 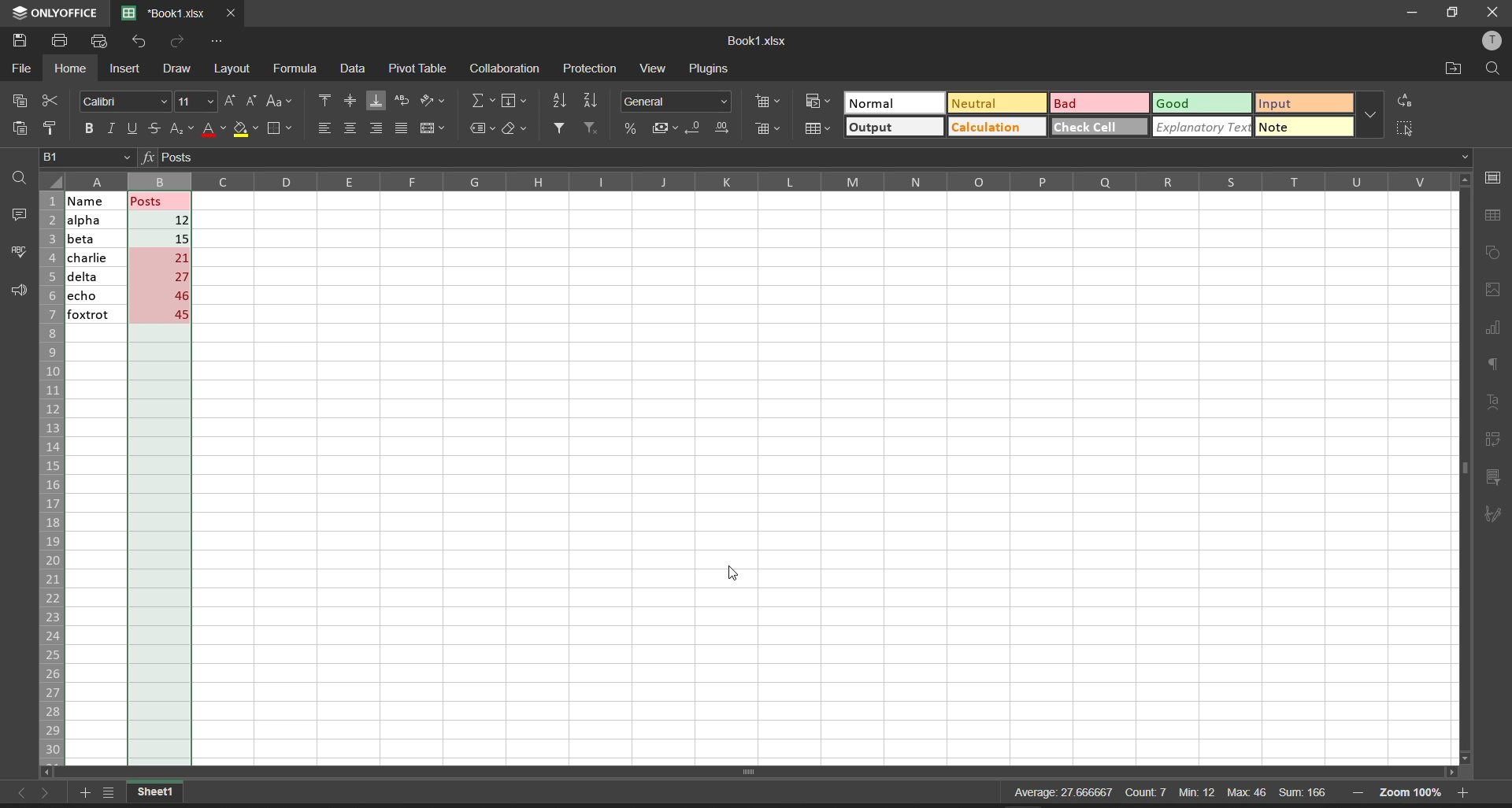 What do you see at coordinates (161, 13) in the screenshot?
I see `'Book1.xlsx` at bounding box center [161, 13].